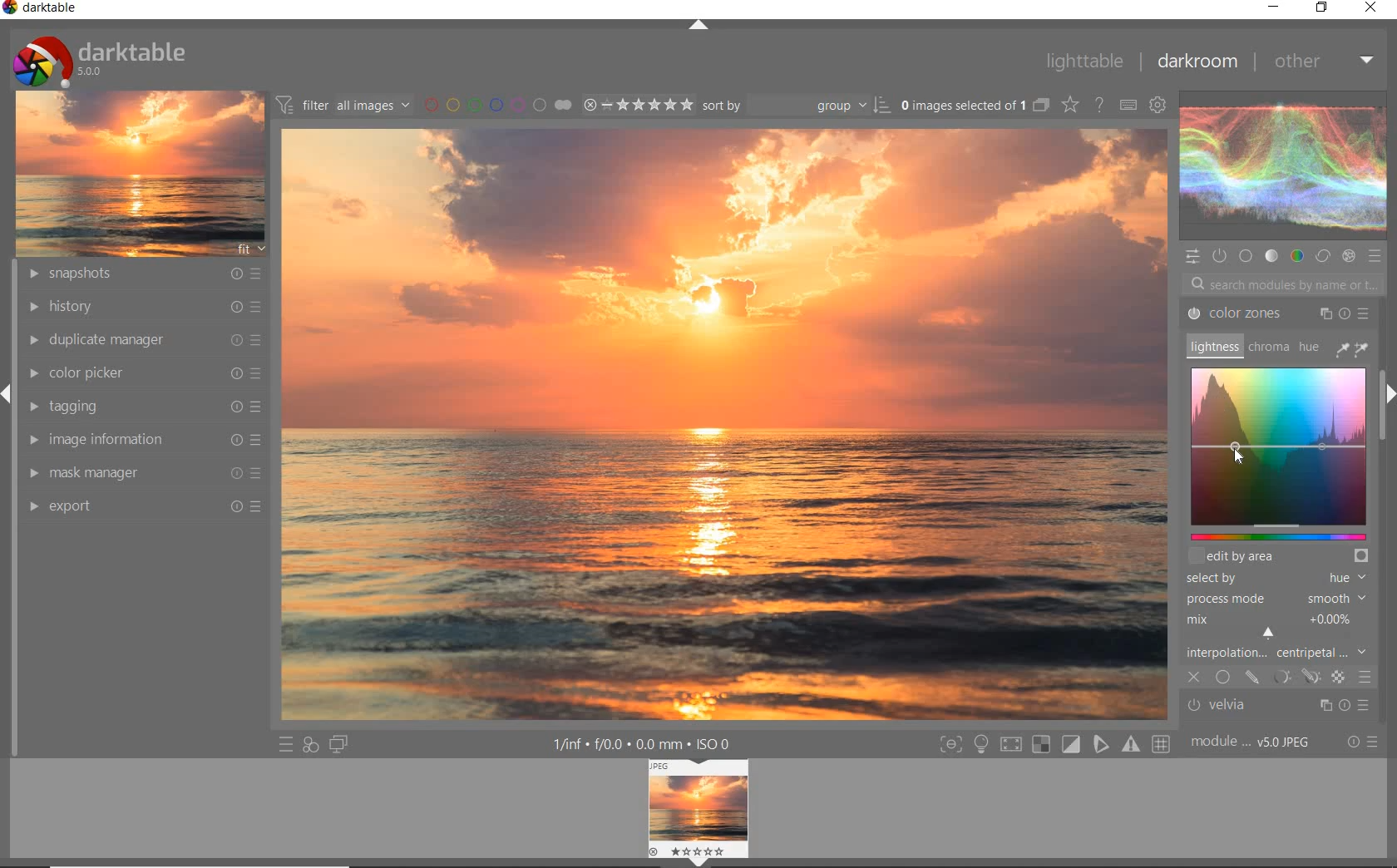 This screenshot has height=868, width=1397. What do you see at coordinates (1321, 8) in the screenshot?
I see `restore` at bounding box center [1321, 8].